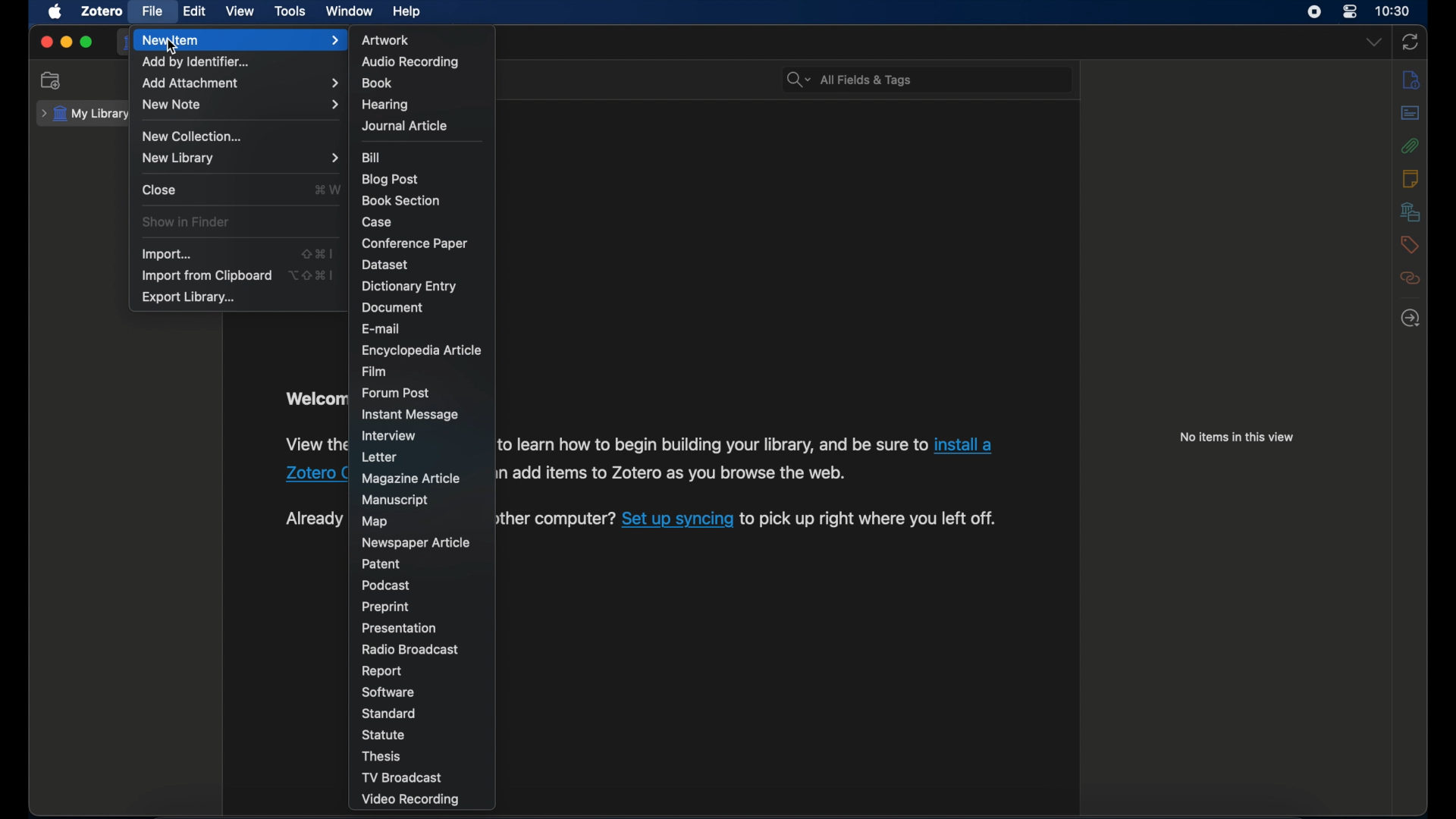 This screenshot has height=819, width=1456. Describe the element at coordinates (409, 649) in the screenshot. I see `radio broadcast` at that location.